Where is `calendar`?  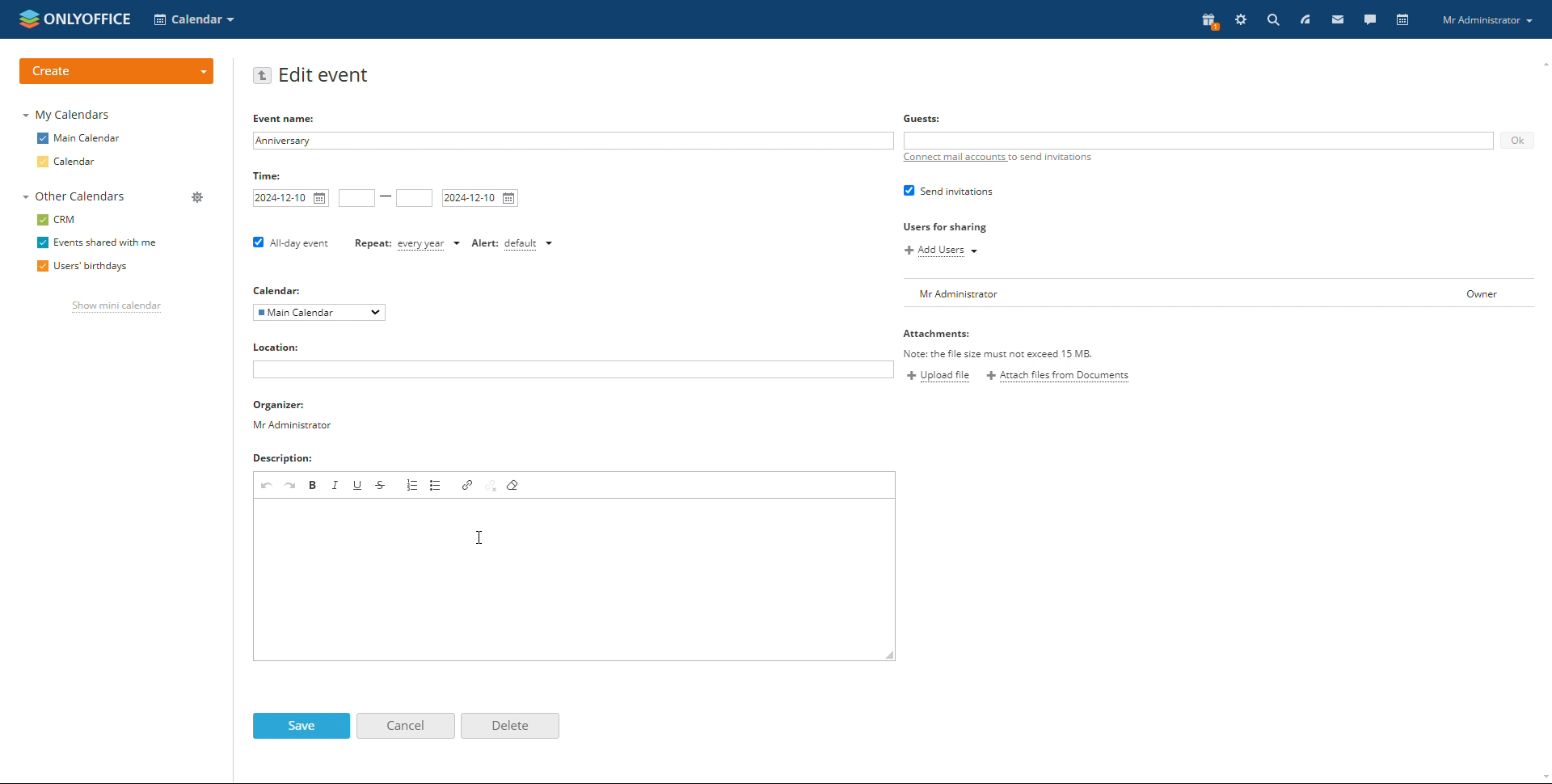
calendar is located at coordinates (1403, 20).